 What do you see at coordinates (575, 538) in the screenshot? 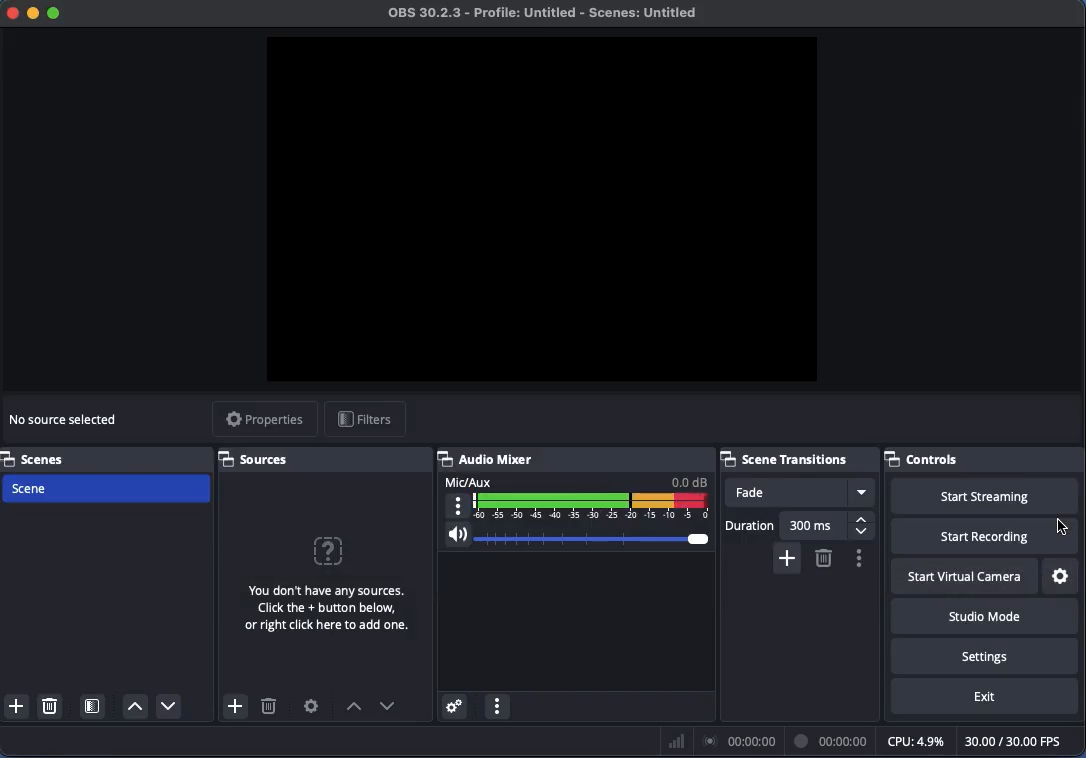
I see `Volume` at bounding box center [575, 538].